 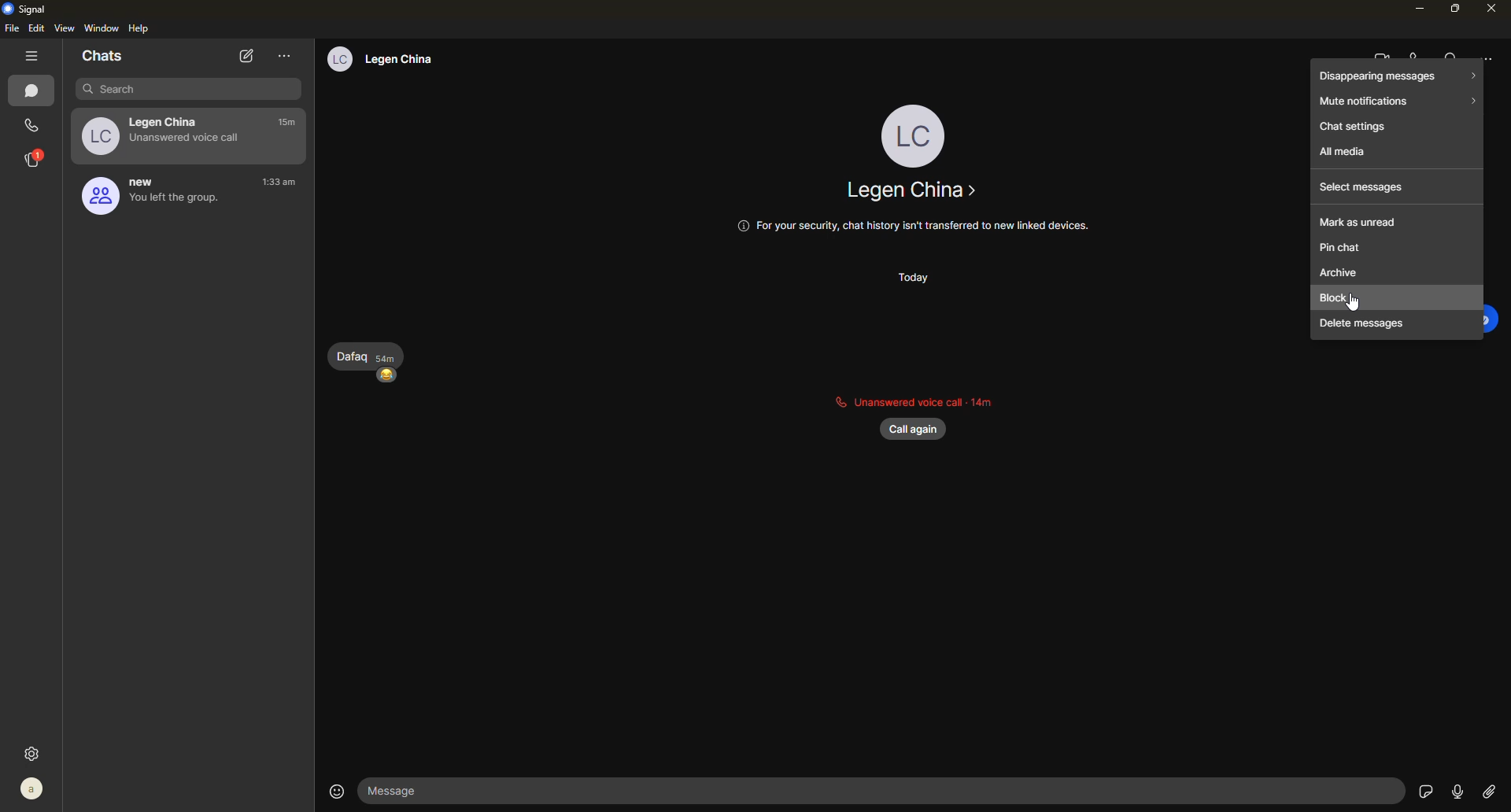 What do you see at coordinates (35, 751) in the screenshot?
I see `settings` at bounding box center [35, 751].